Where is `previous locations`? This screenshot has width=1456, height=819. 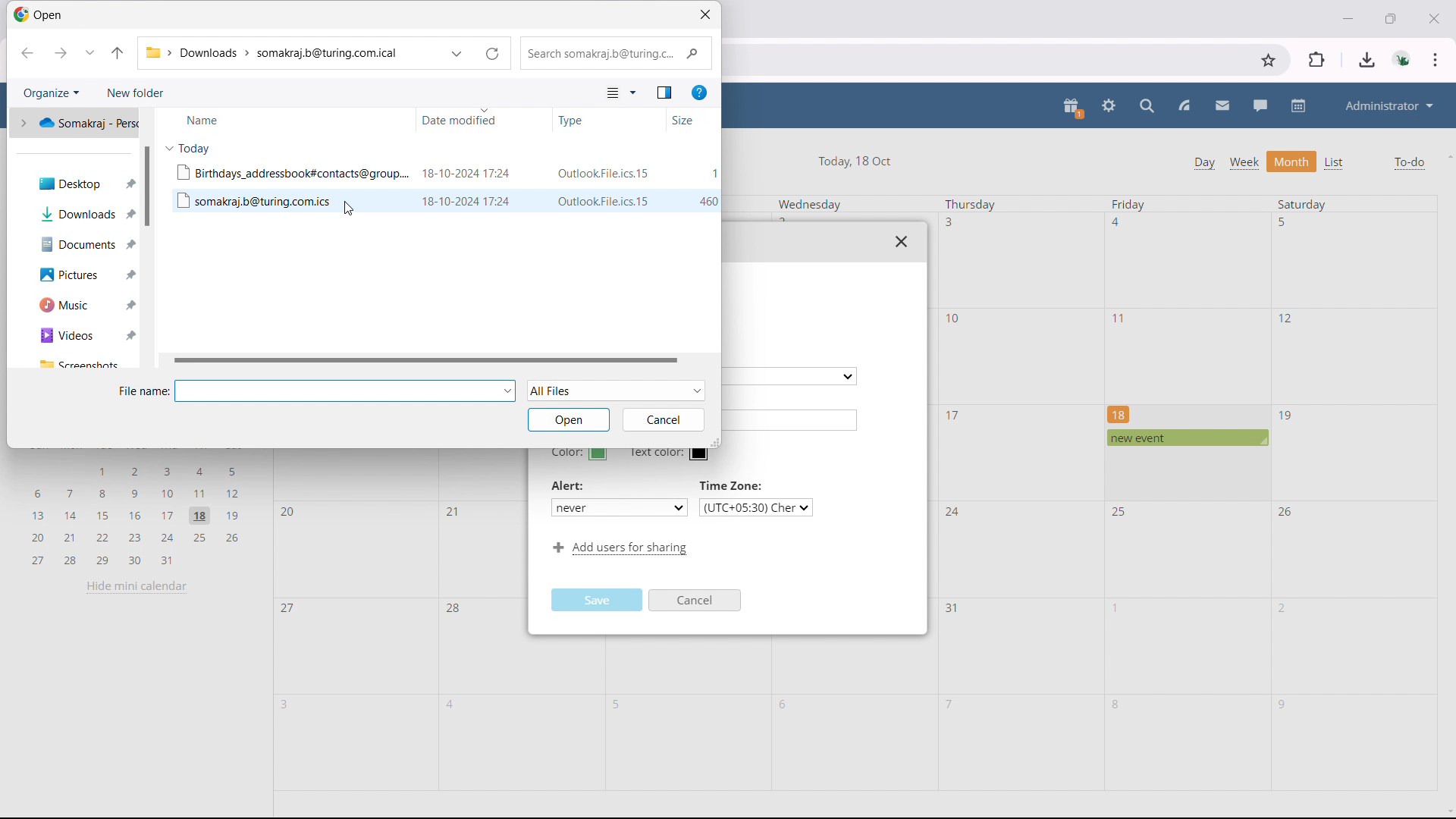
previous locations is located at coordinates (457, 54).